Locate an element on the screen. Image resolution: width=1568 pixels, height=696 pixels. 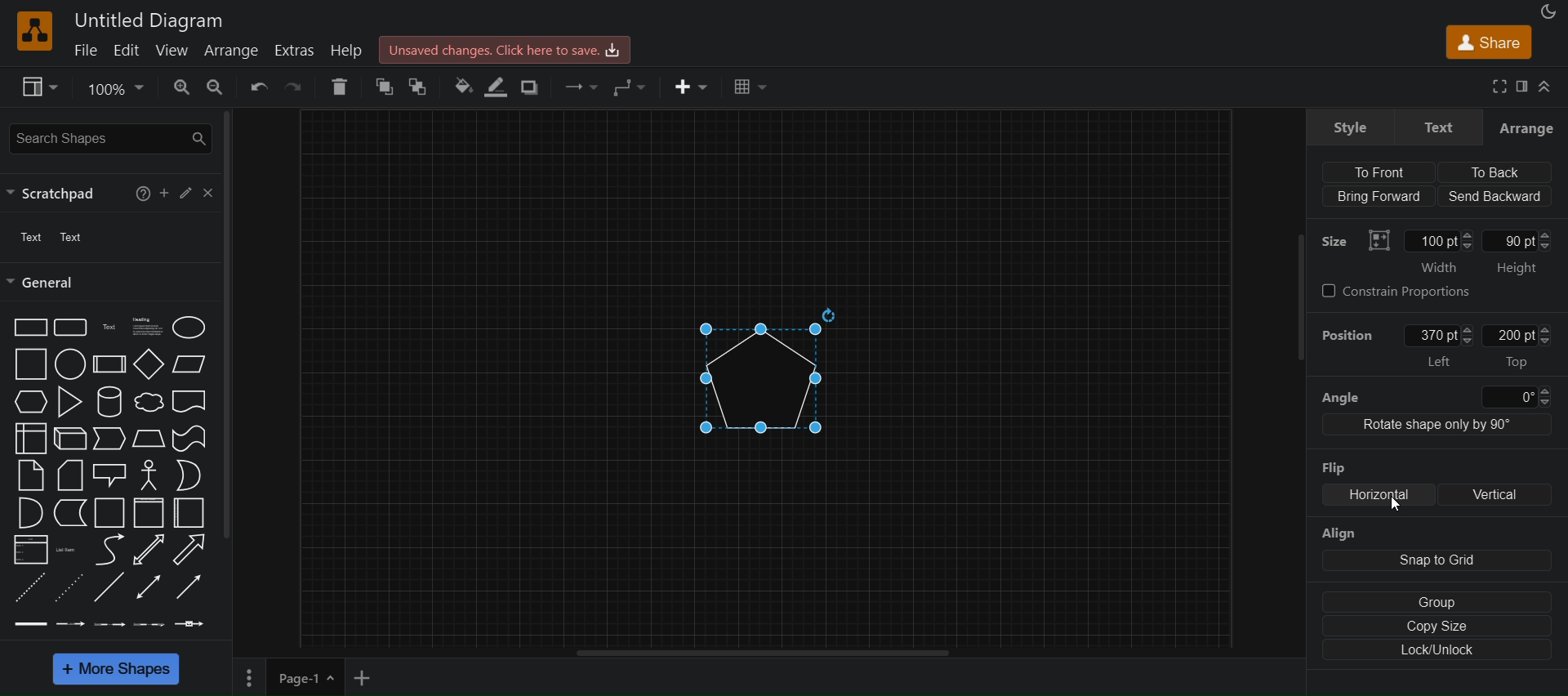
edit is located at coordinates (130, 49).